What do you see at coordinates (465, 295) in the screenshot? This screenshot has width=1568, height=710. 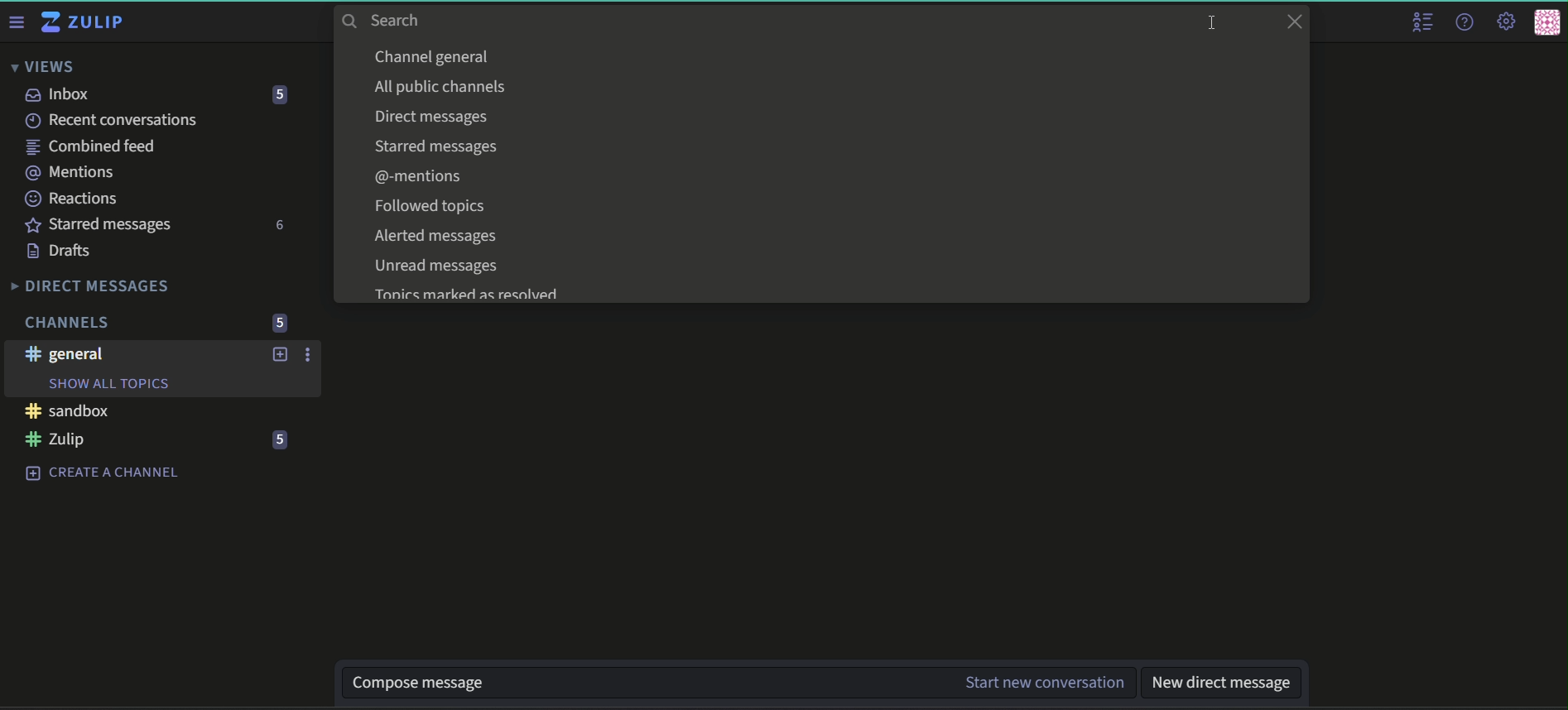 I see `text` at bounding box center [465, 295].